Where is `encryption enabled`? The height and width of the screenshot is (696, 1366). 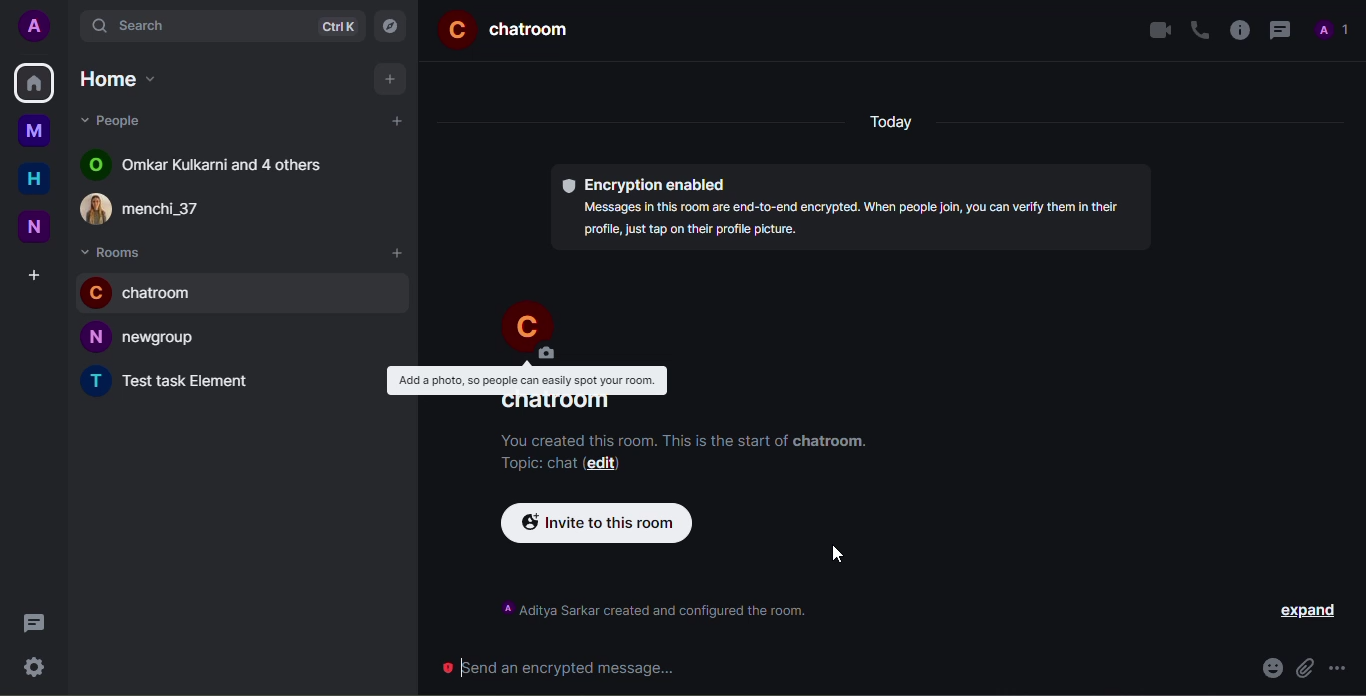
encryption enabled is located at coordinates (644, 184).